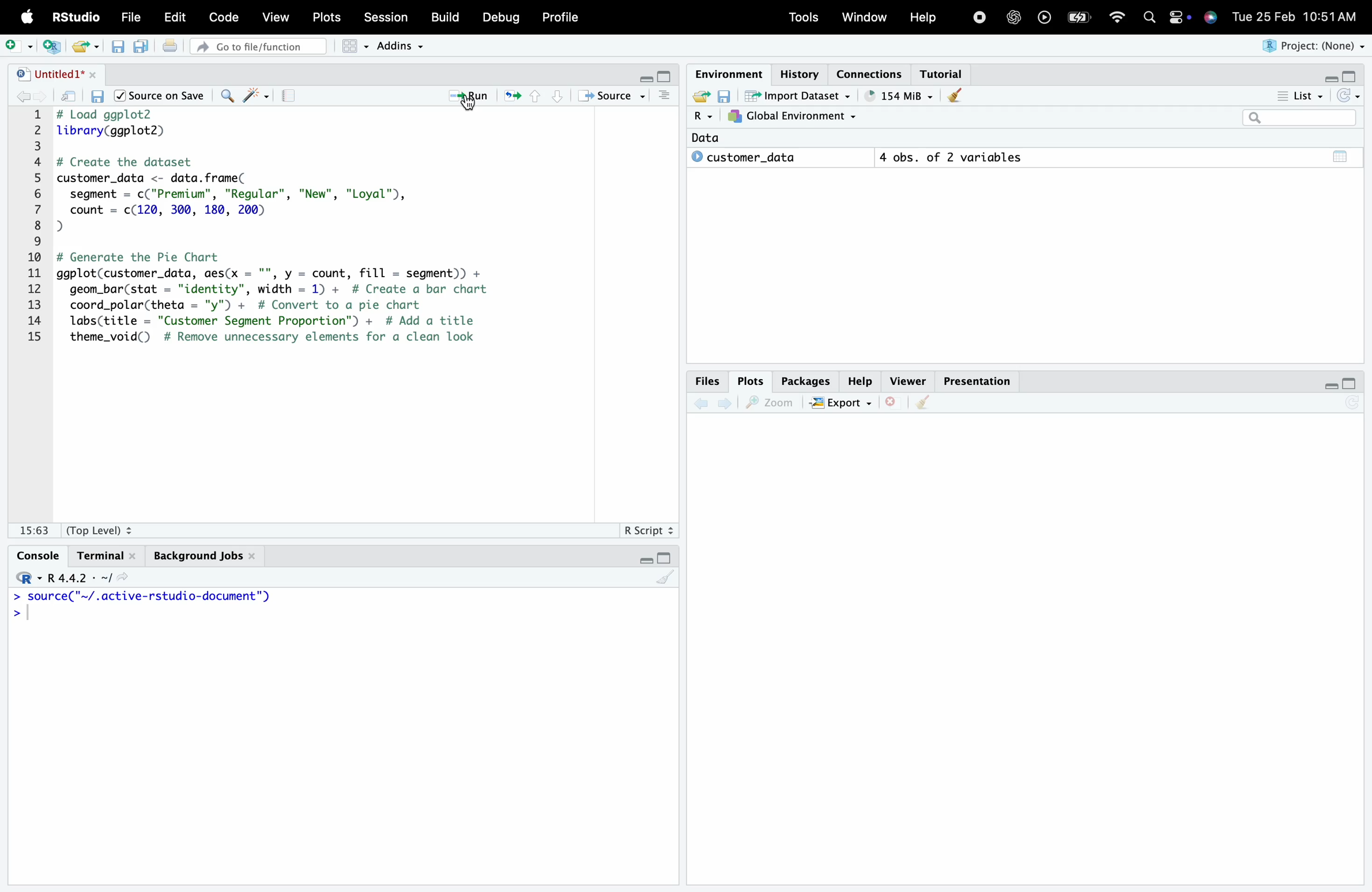  Describe the element at coordinates (1352, 78) in the screenshot. I see `maximise` at that location.